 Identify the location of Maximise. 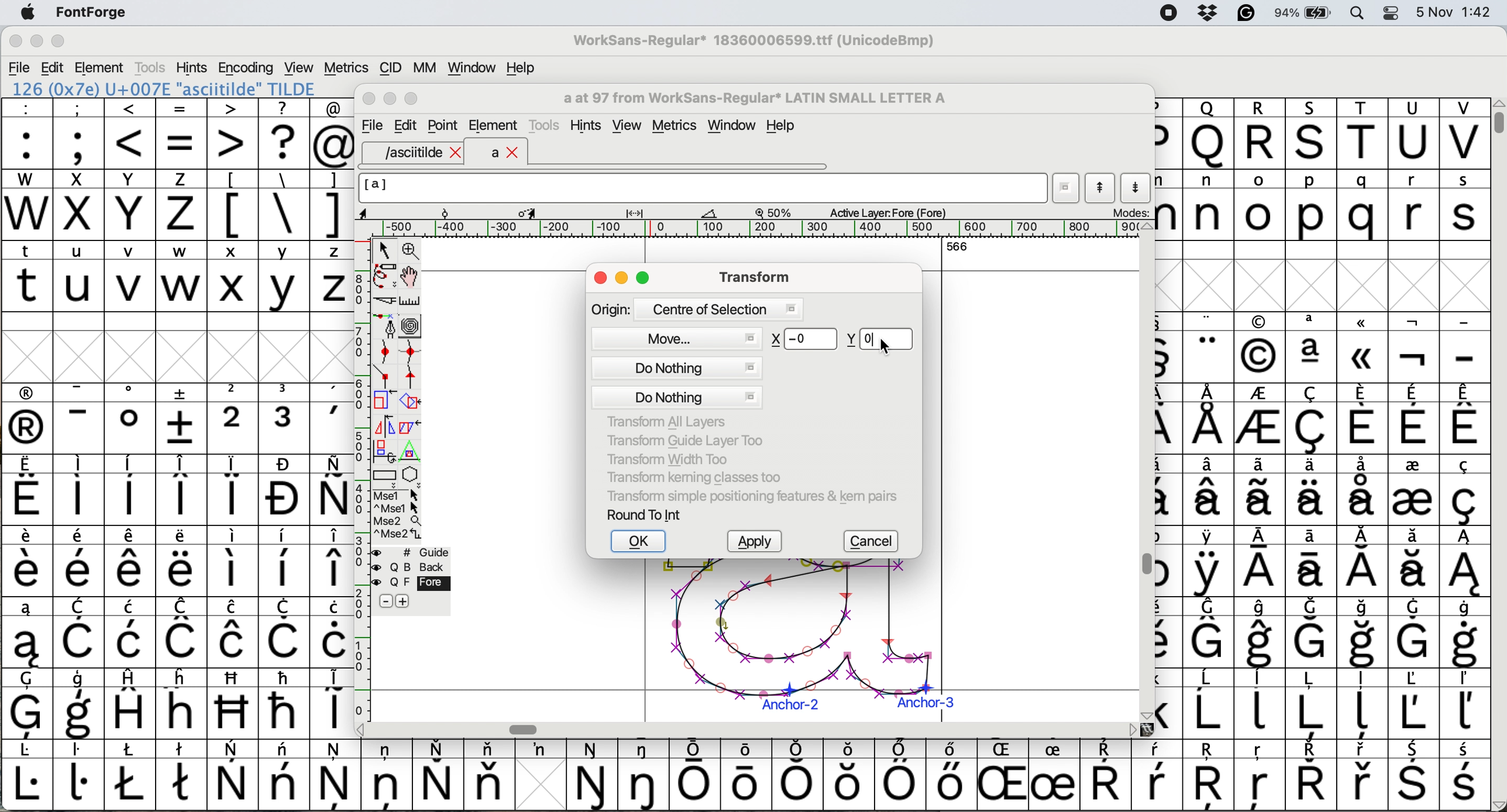
(414, 99).